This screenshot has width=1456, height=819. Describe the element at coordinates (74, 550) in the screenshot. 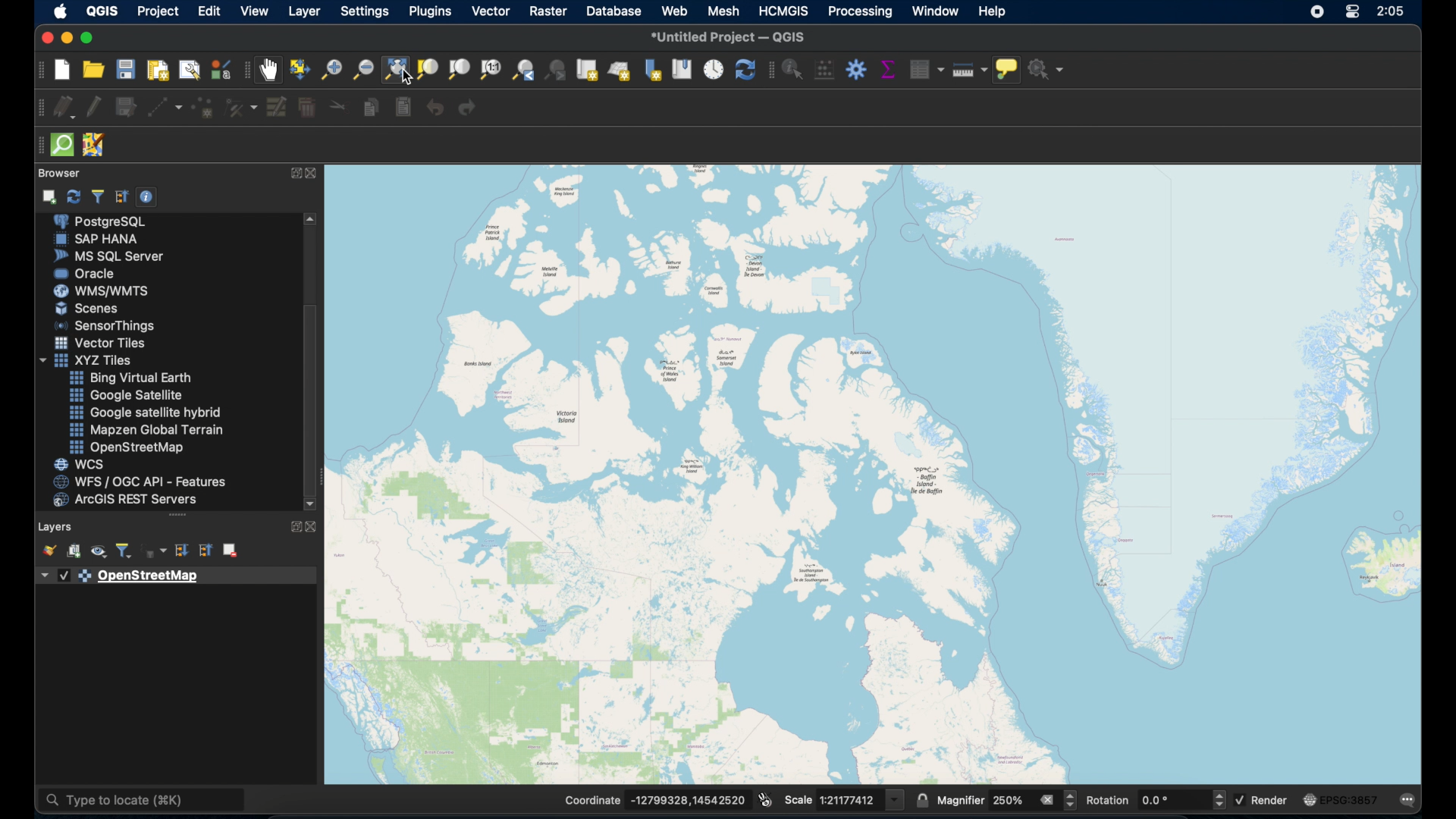

I see `add group` at that location.